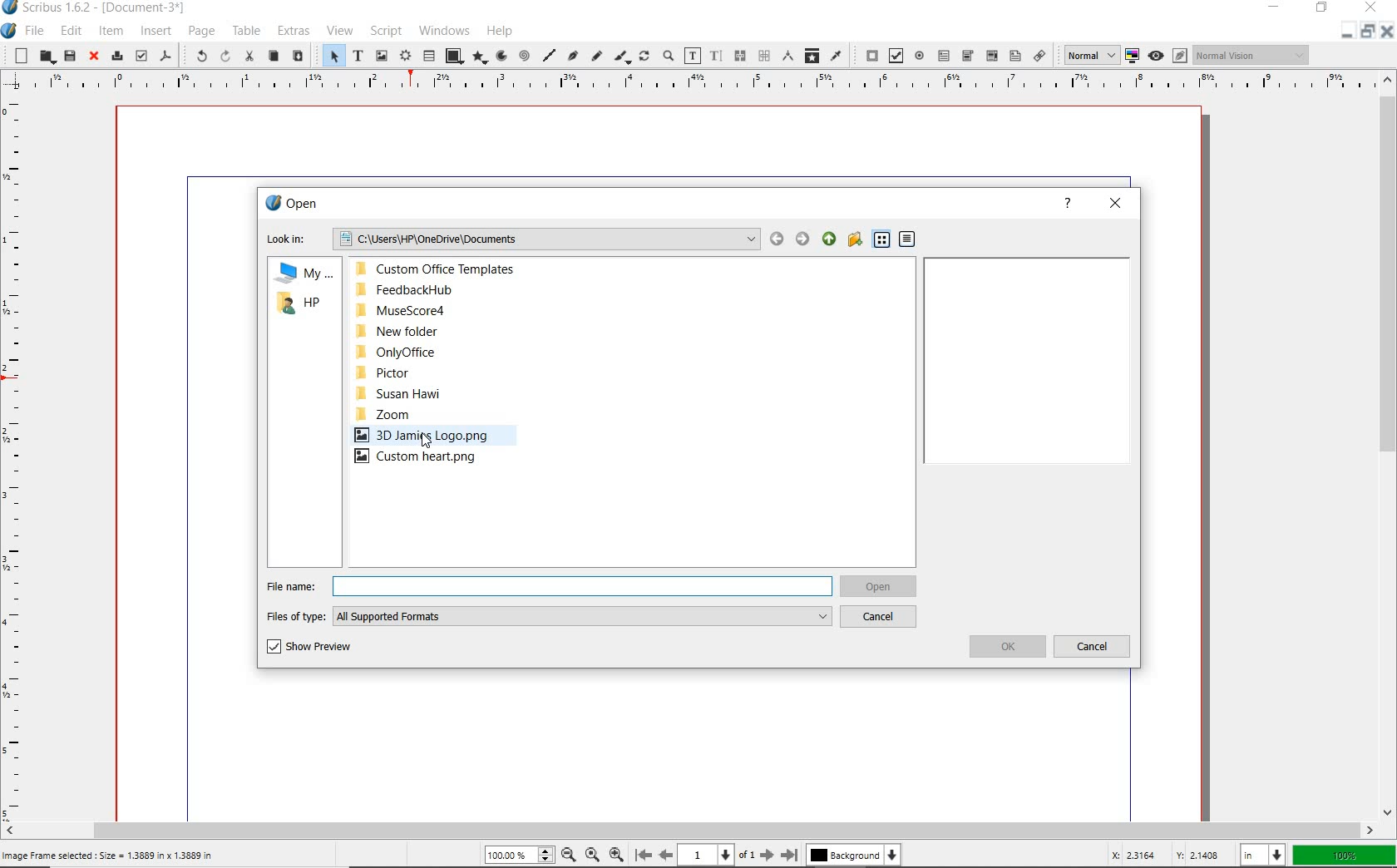 The width and height of the screenshot is (1397, 868). I want to click on unlink text frames, so click(759, 57).